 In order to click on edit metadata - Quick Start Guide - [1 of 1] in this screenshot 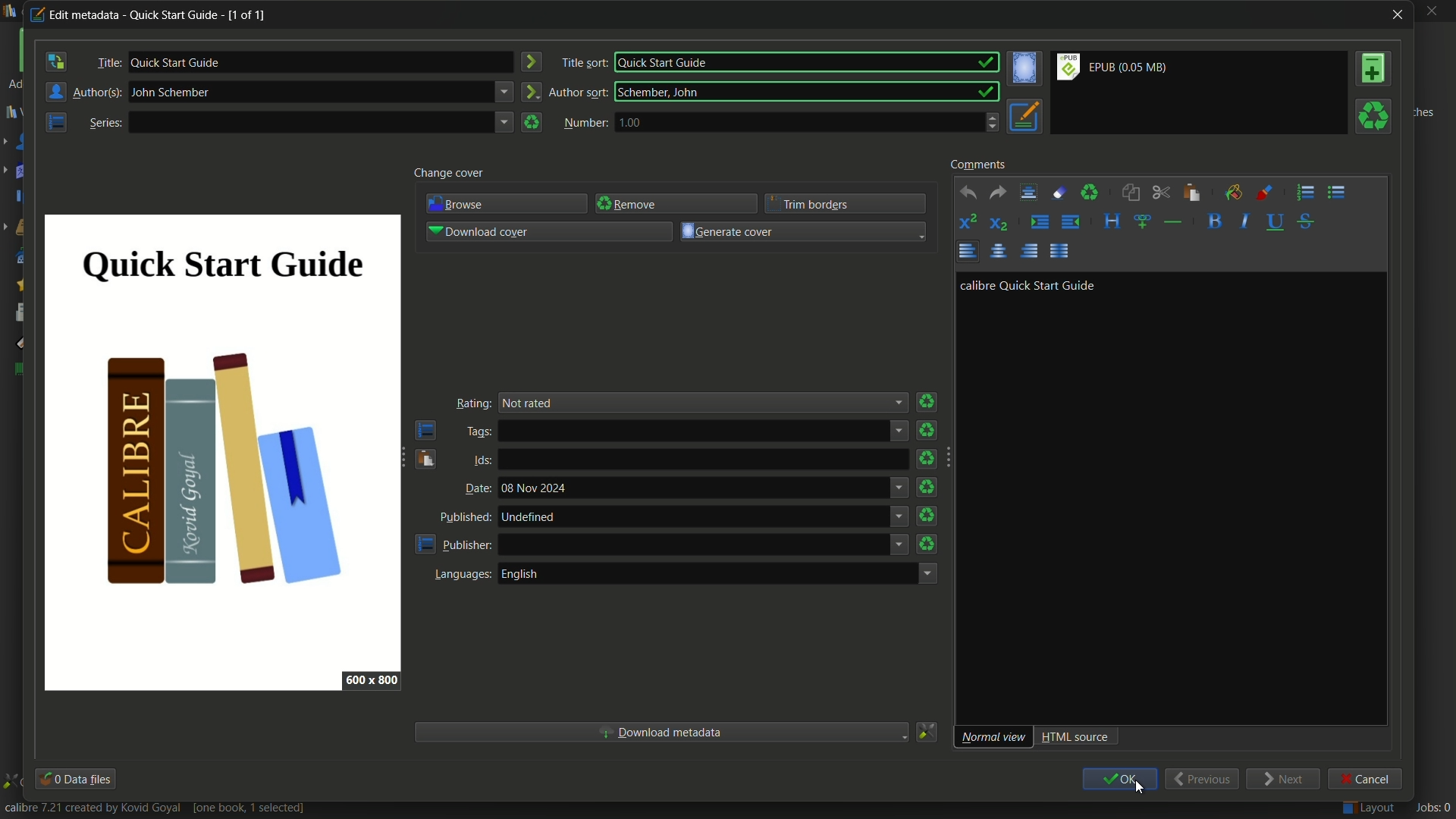, I will do `click(154, 16)`.